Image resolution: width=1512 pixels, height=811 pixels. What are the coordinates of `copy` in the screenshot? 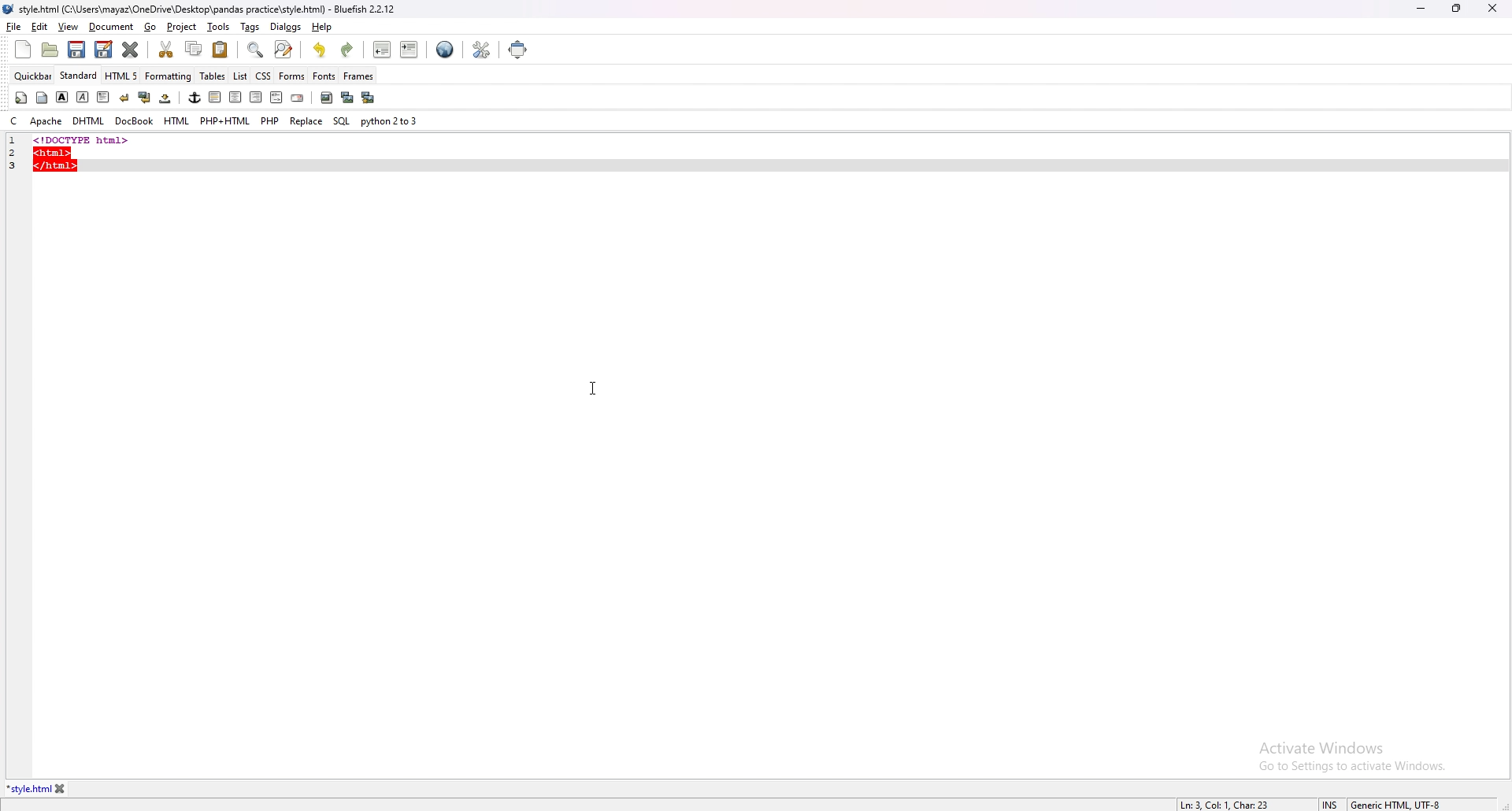 It's located at (195, 49).